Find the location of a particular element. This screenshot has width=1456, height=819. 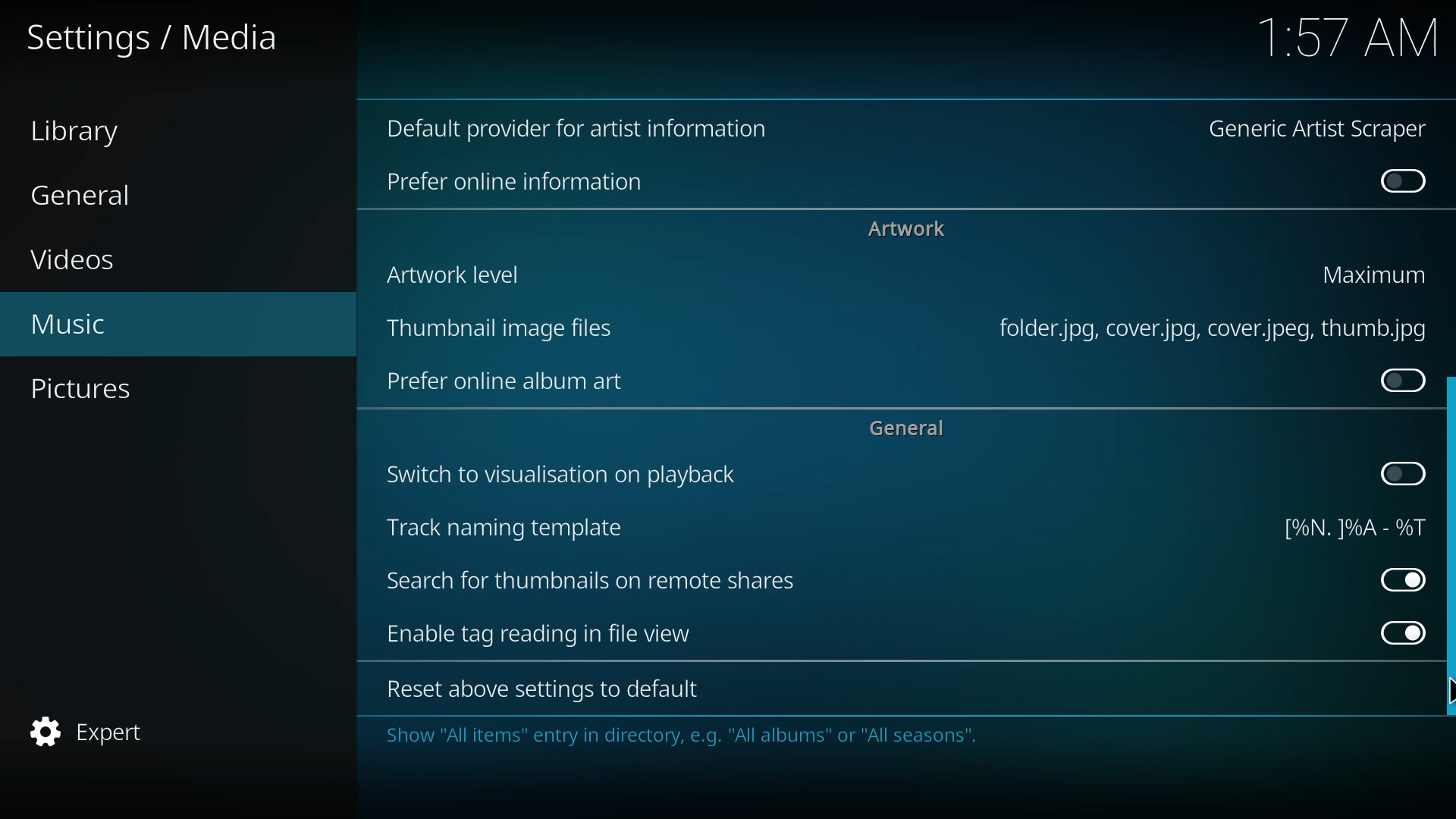

cursor is located at coordinates (1448, 690).